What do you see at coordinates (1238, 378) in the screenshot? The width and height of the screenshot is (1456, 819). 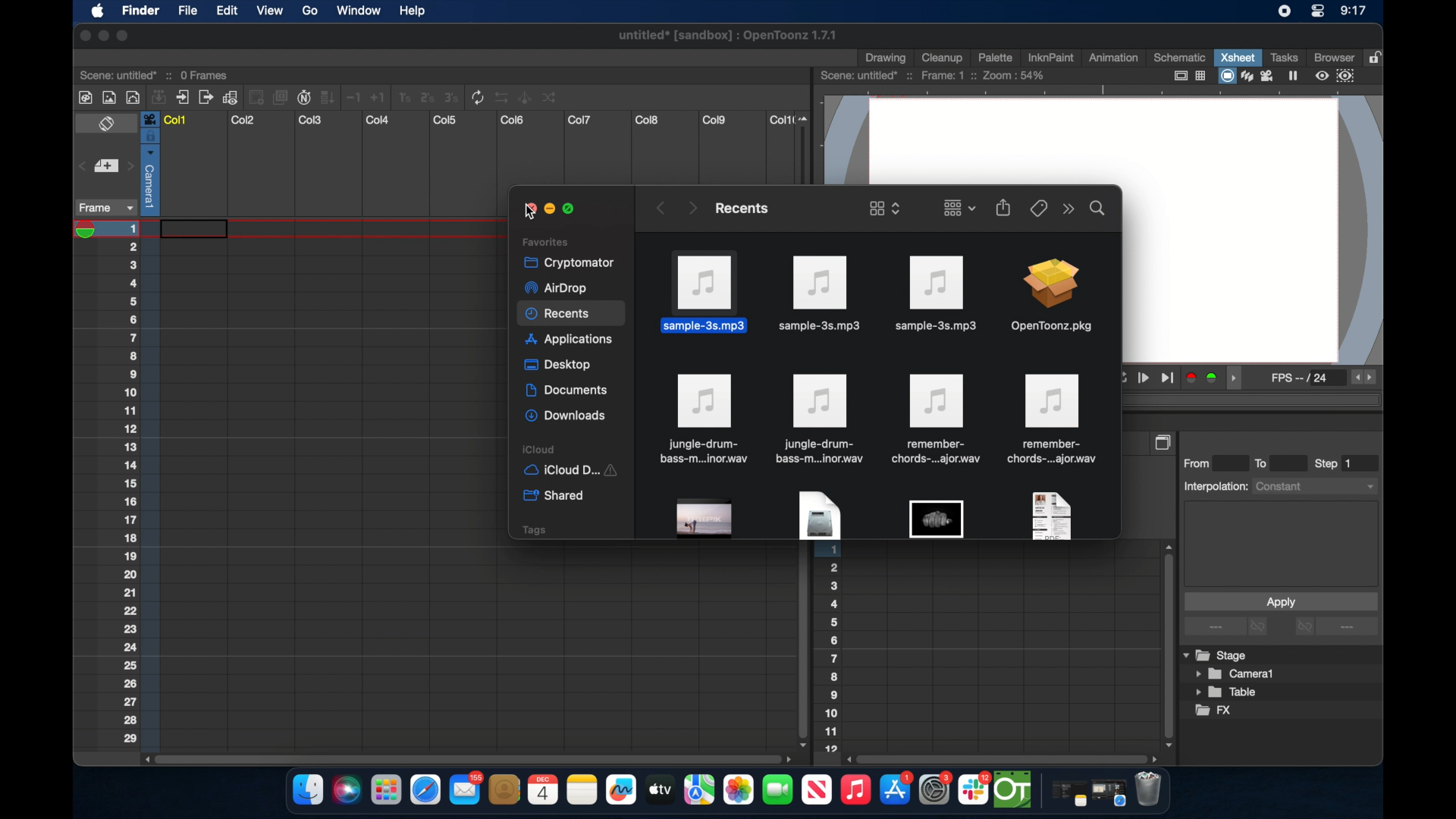 I see `drag handle` at bounding box center [1238, 378].